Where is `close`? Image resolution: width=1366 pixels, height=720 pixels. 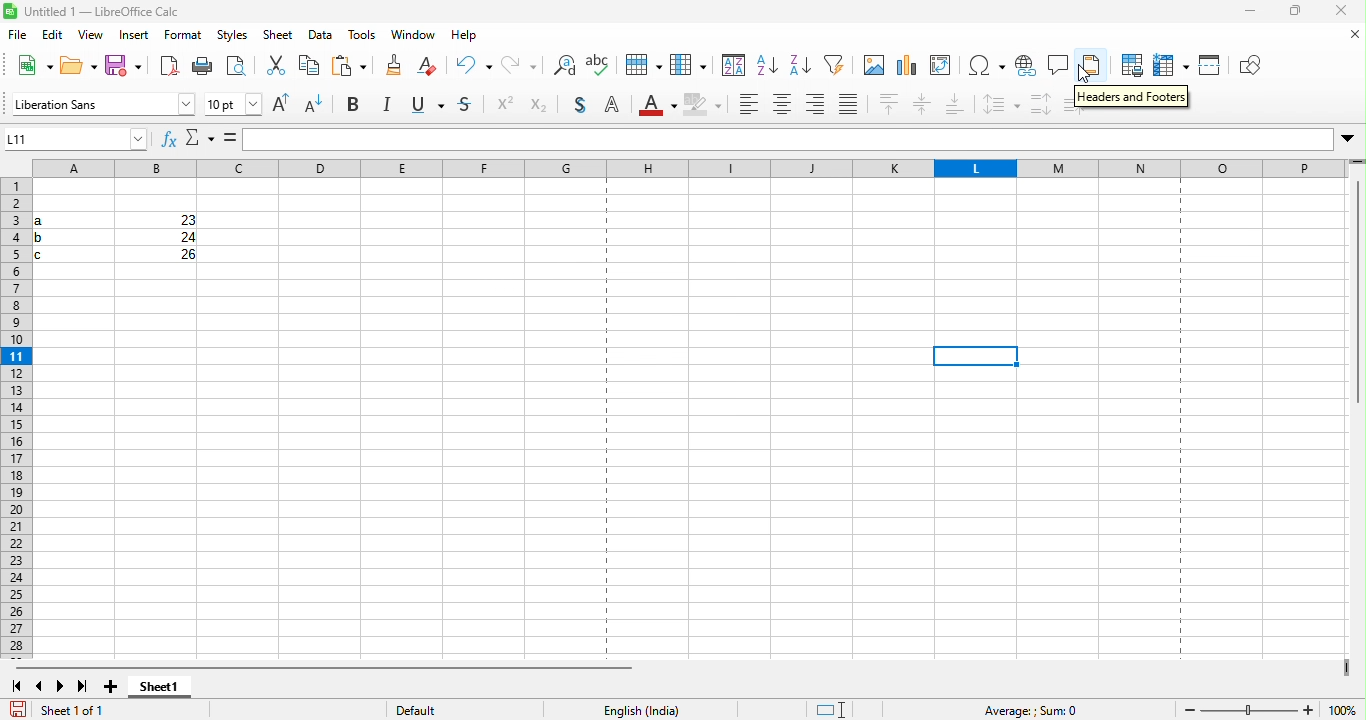 close is located at coordinates (1343, 12).